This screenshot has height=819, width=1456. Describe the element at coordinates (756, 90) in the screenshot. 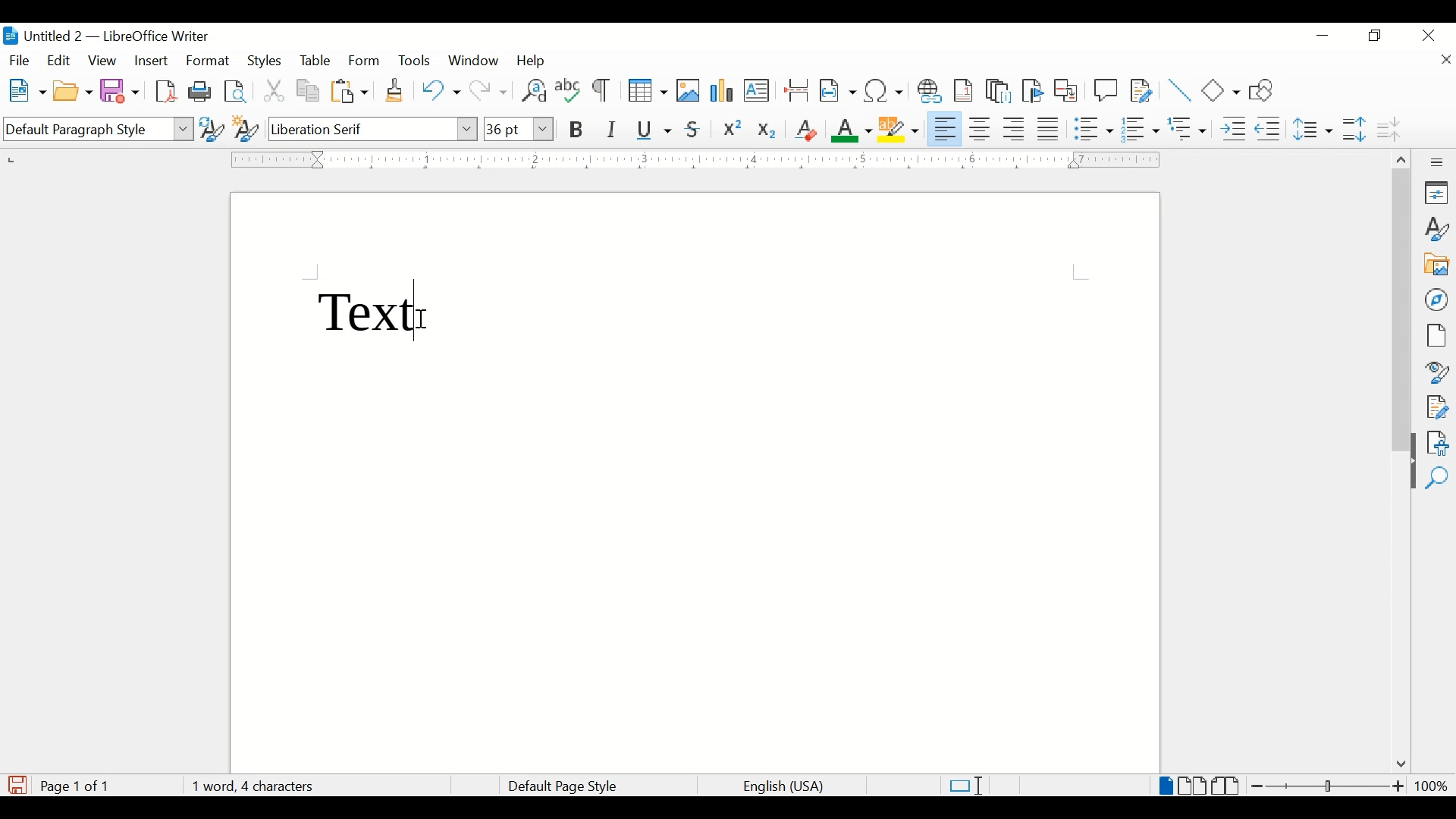

I see `insert text box` at that location.